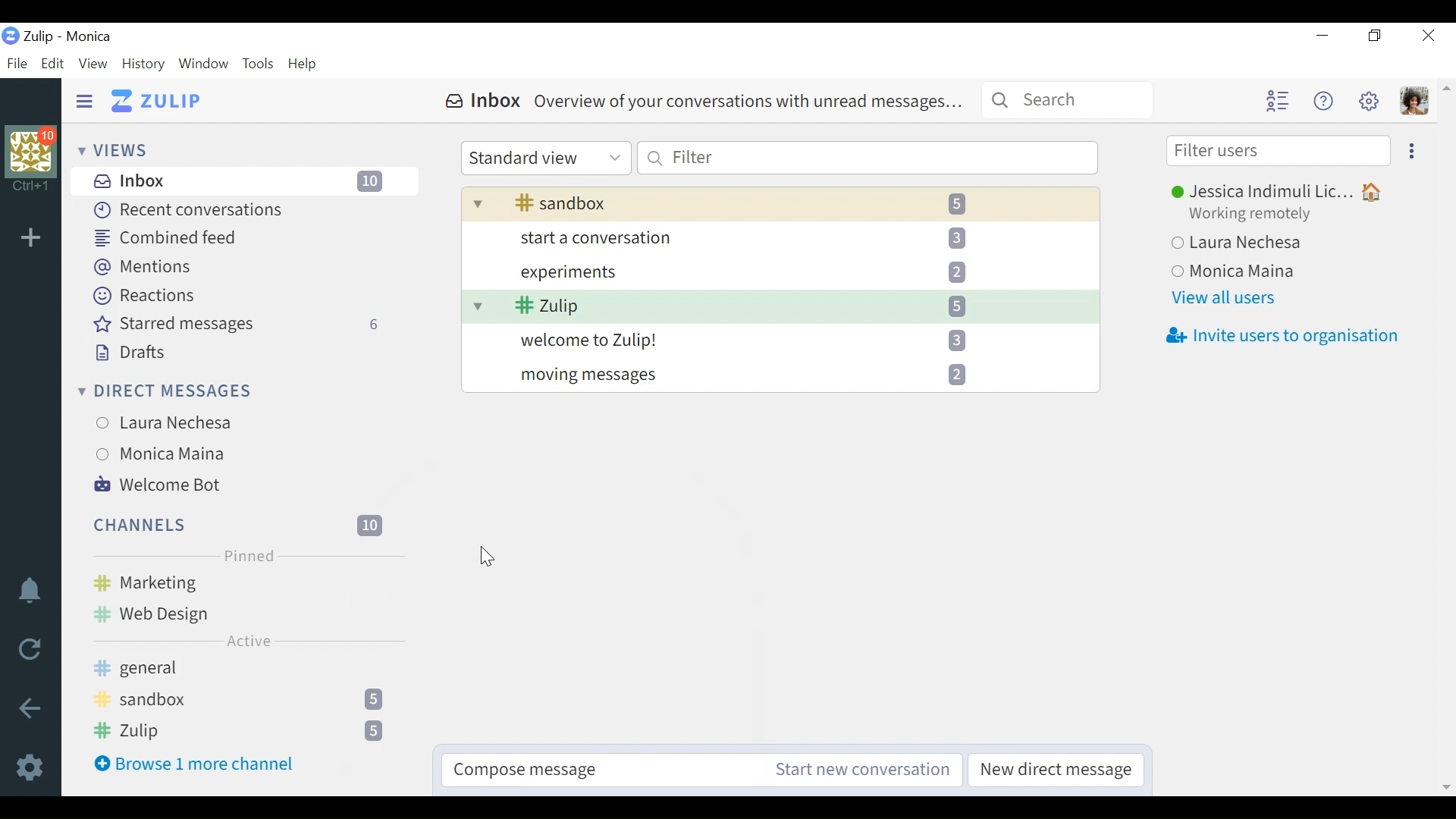 This screenshot has width=1456, height=819. Describe the element at coordinates (1321, 36) in the screenshot. I see `minimize` at that location.